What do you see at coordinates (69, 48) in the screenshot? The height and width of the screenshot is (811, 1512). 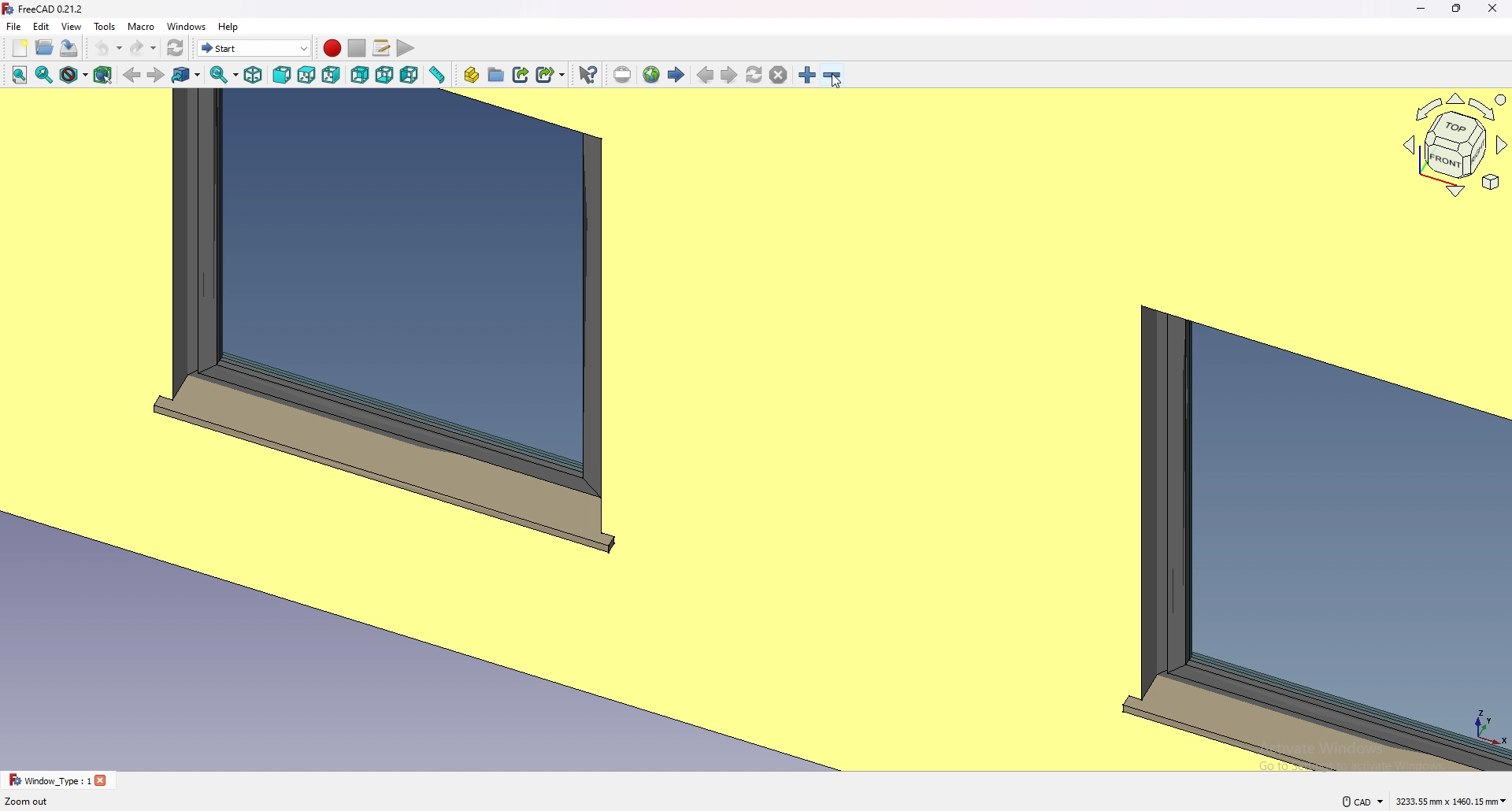 I see `save` at bounding box center [69, 48].